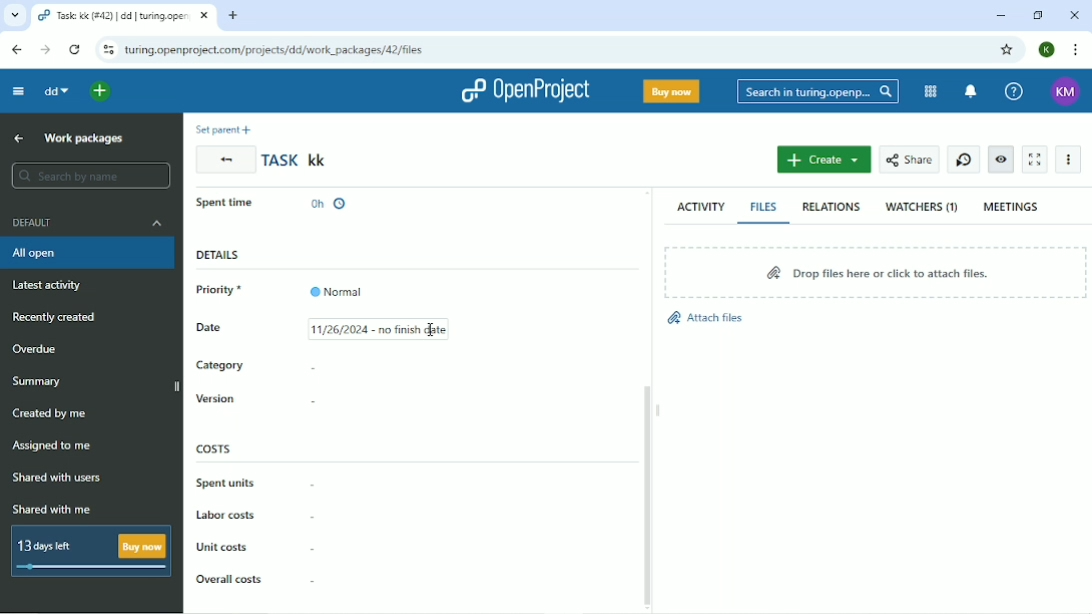 The height and width of the screenshot is (614, 1092). What do you see at coordinates (87, 176) in the screenshot?
I see `Search by name` at bounding box center [87, 176].